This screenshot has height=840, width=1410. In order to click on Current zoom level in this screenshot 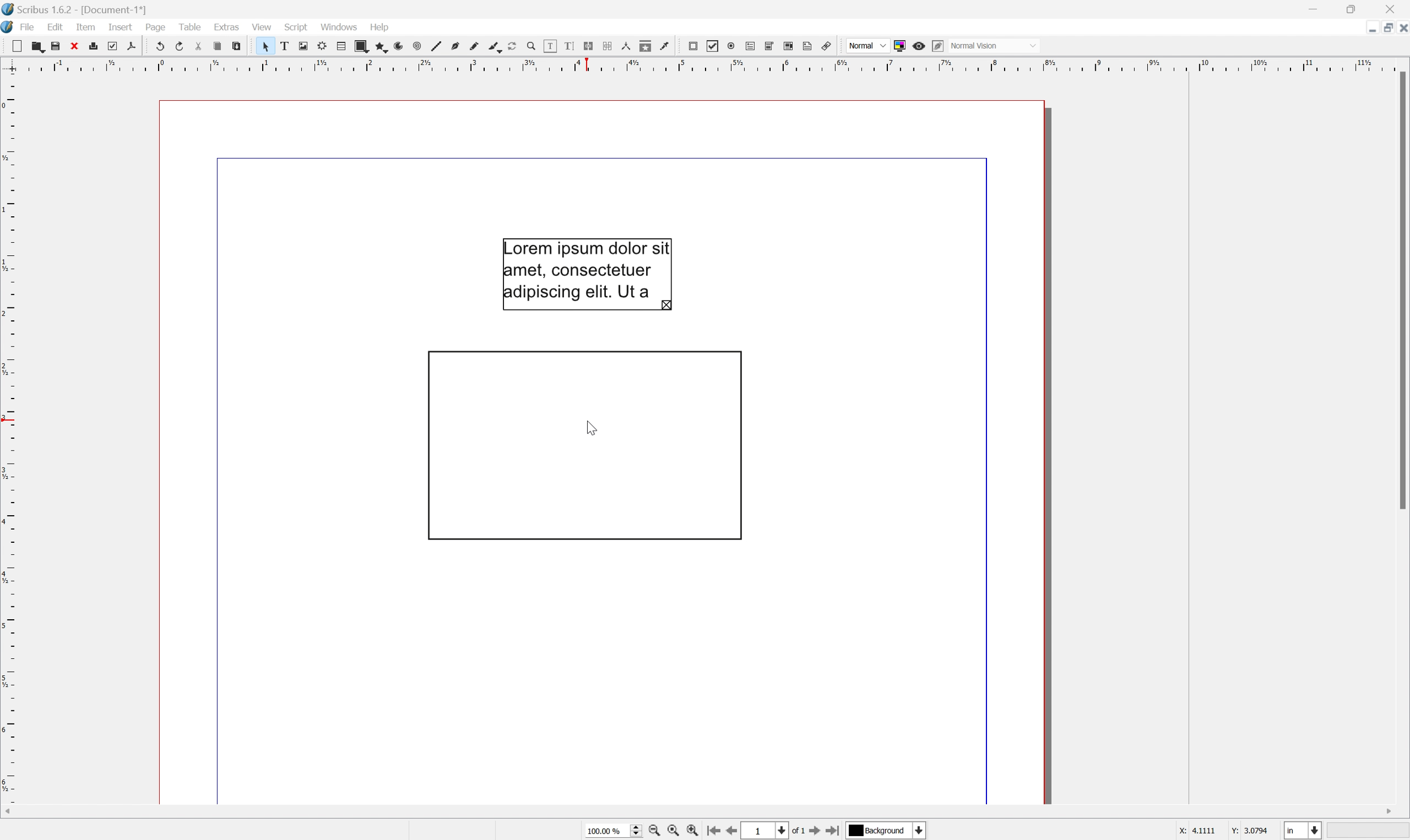, I will do `click(613, 832)`.